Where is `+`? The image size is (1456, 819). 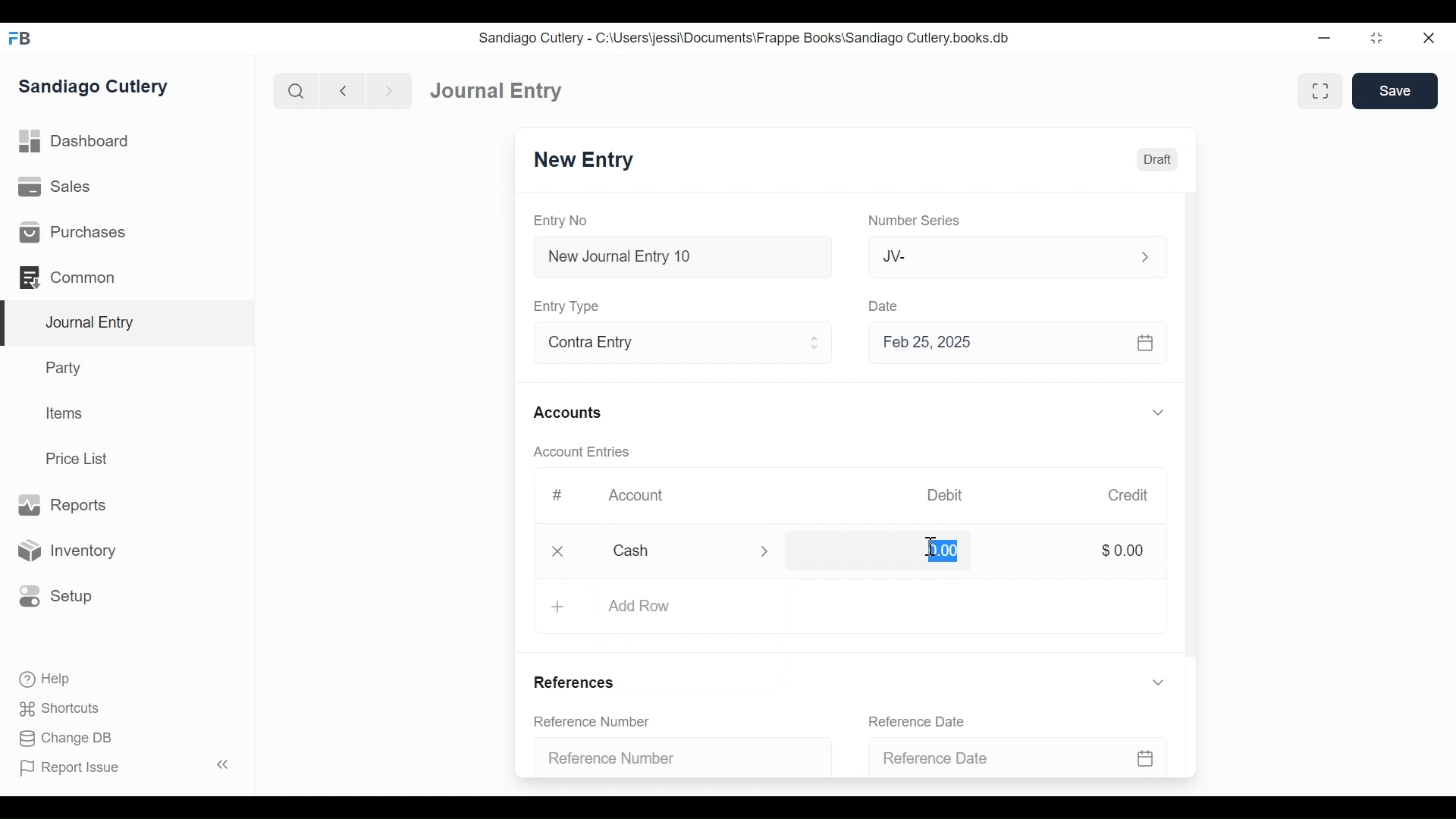
+ is located at coordinates (557, 605).